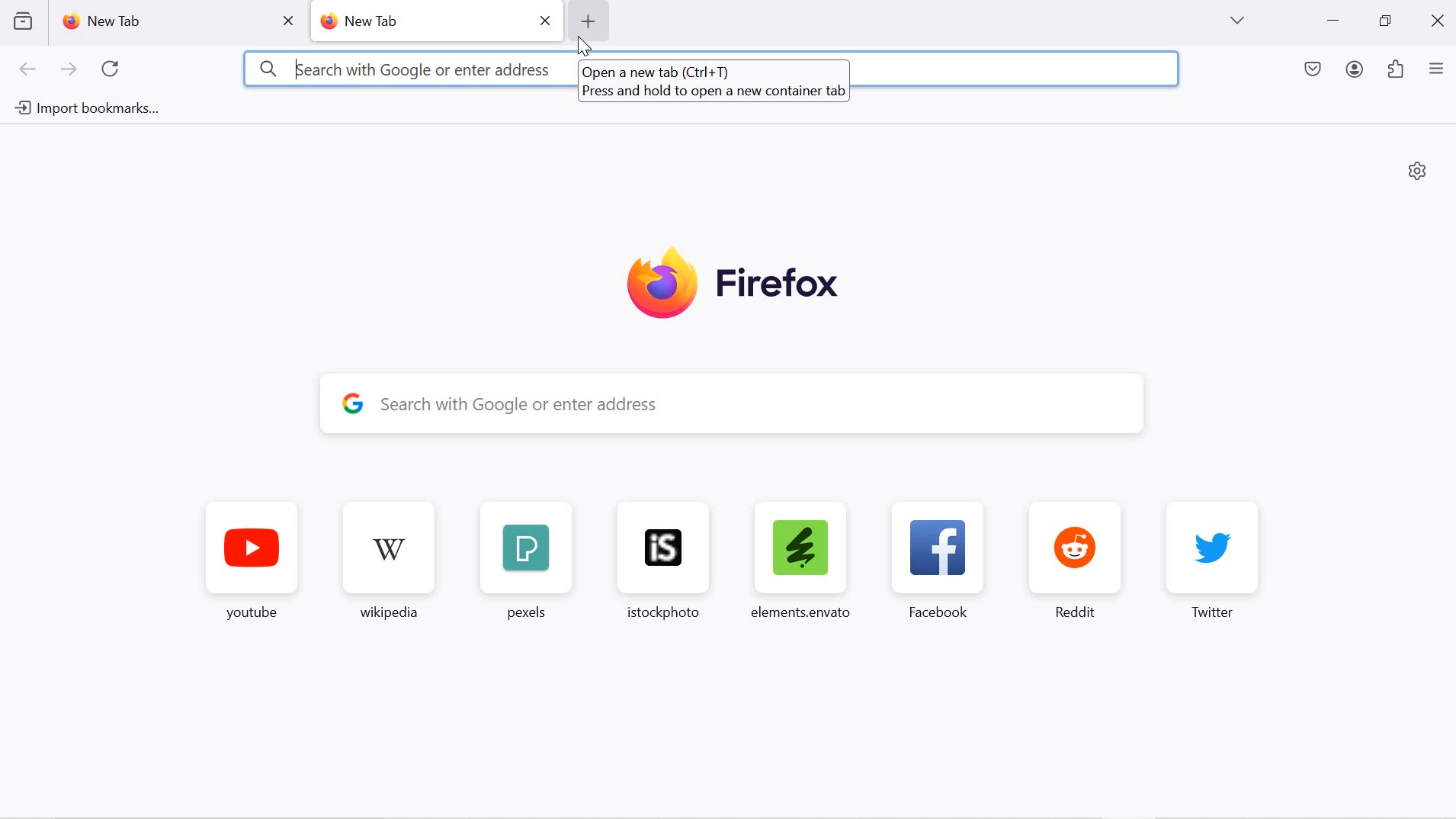  What do you see at coordinates (943, 560) in the screenshot?
I see `facebook favorite` at bounding box center [943, 560].